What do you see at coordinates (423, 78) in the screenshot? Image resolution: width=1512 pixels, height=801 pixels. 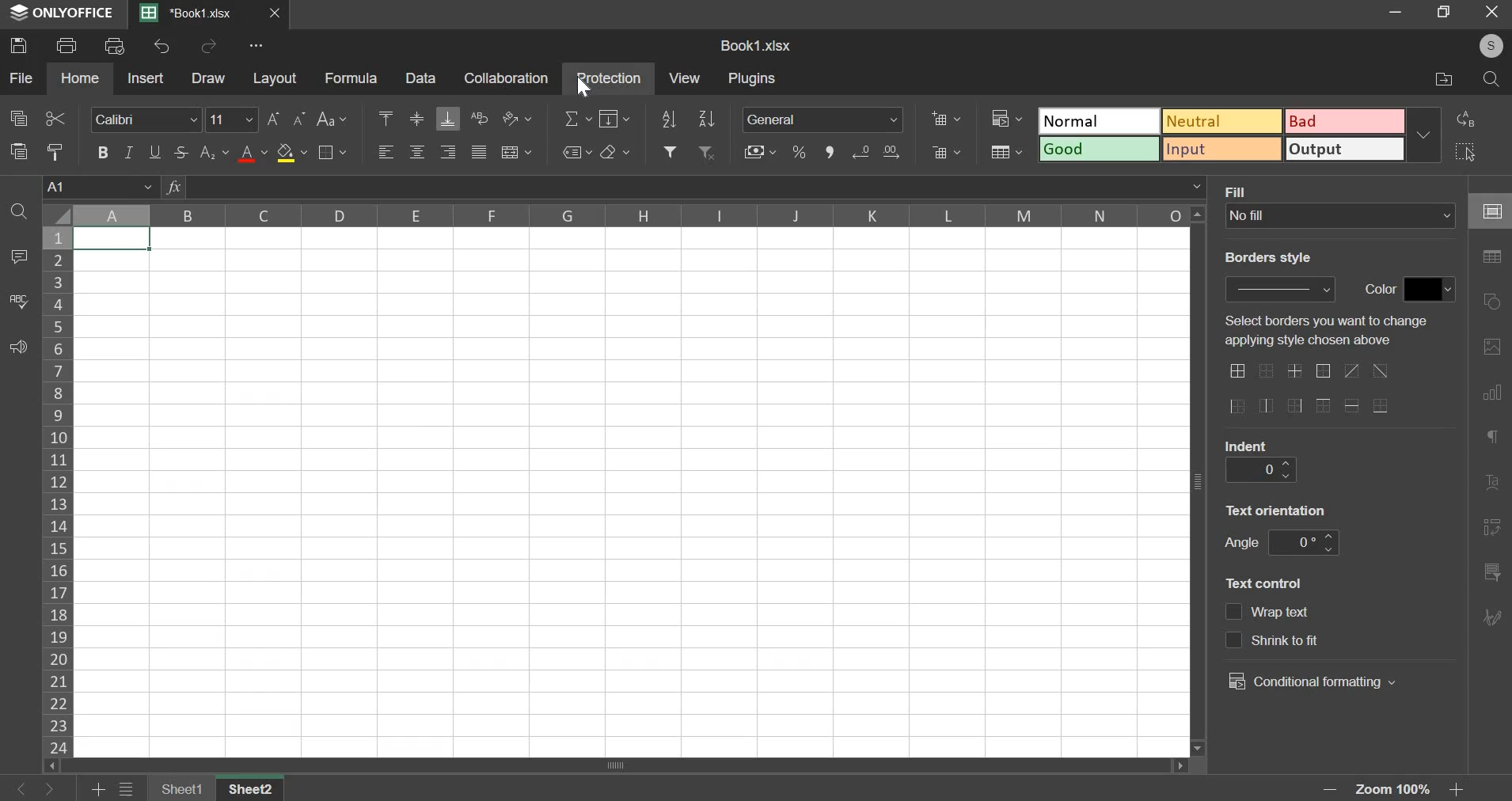 I see `data` at bounding box center [423, 78].